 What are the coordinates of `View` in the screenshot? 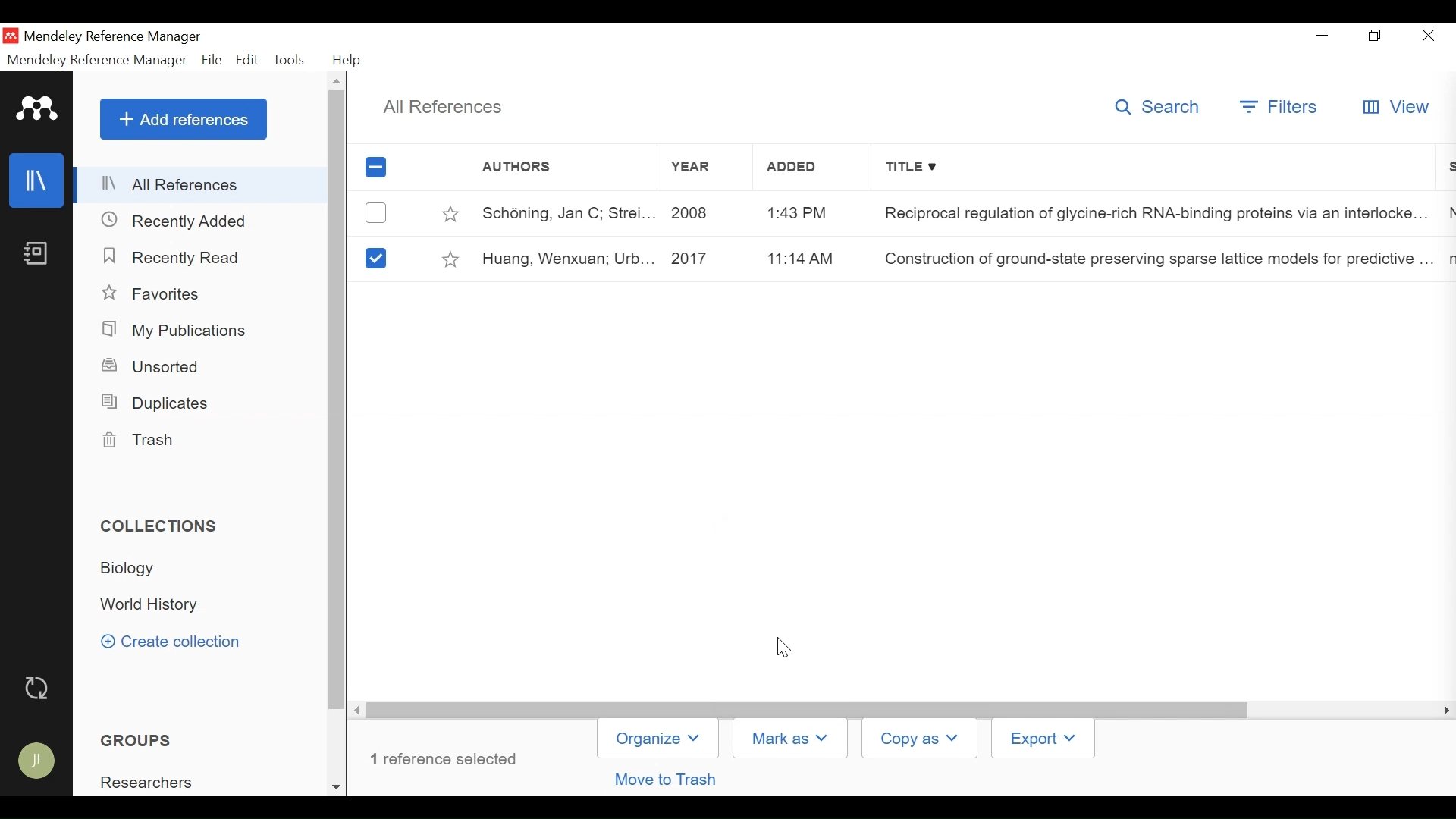 It's located at (1396, 108).